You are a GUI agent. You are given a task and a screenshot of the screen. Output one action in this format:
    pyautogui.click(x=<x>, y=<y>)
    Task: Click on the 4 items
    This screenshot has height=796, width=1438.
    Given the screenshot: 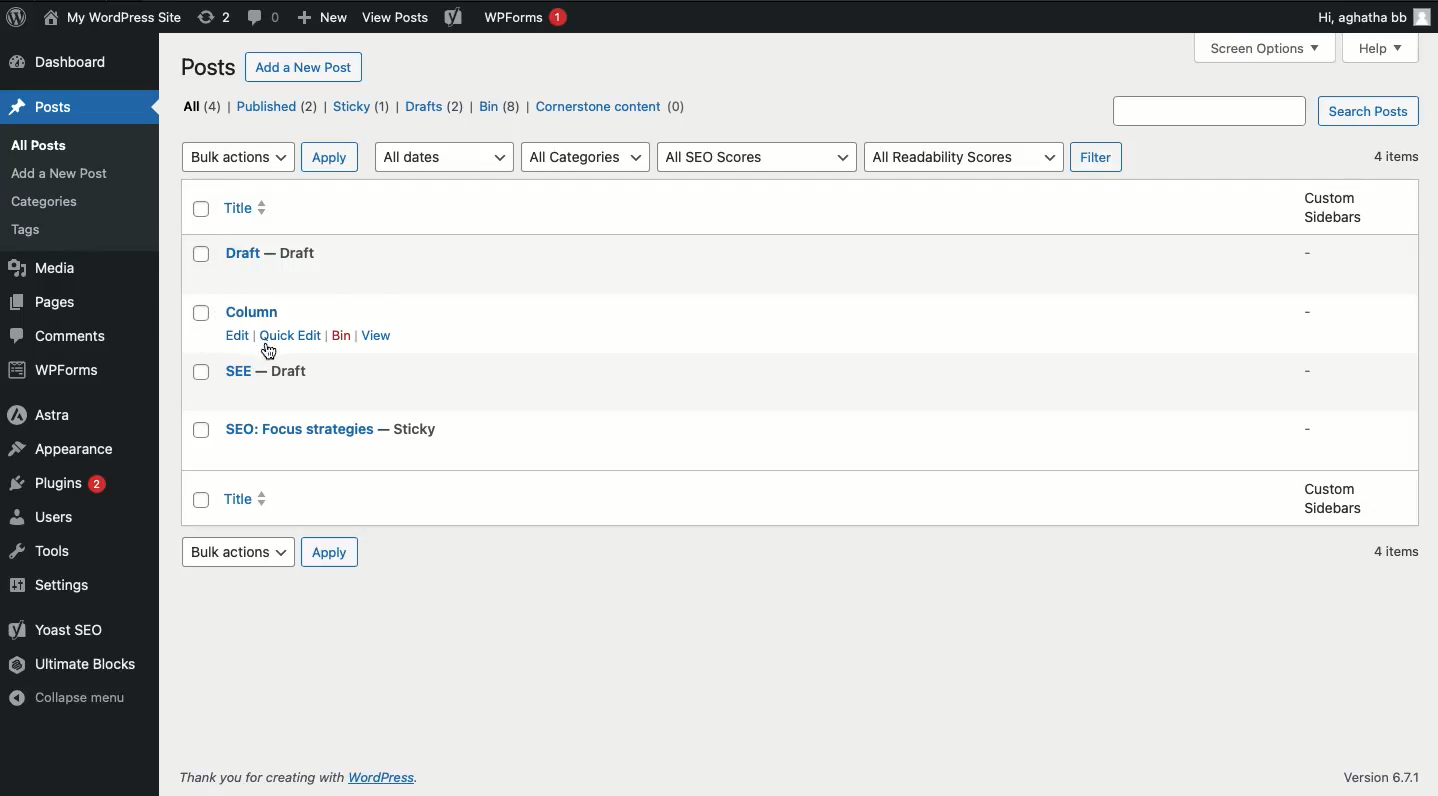 What is the action you would take?
    pyautogui.click(x=1399, y=156)
    